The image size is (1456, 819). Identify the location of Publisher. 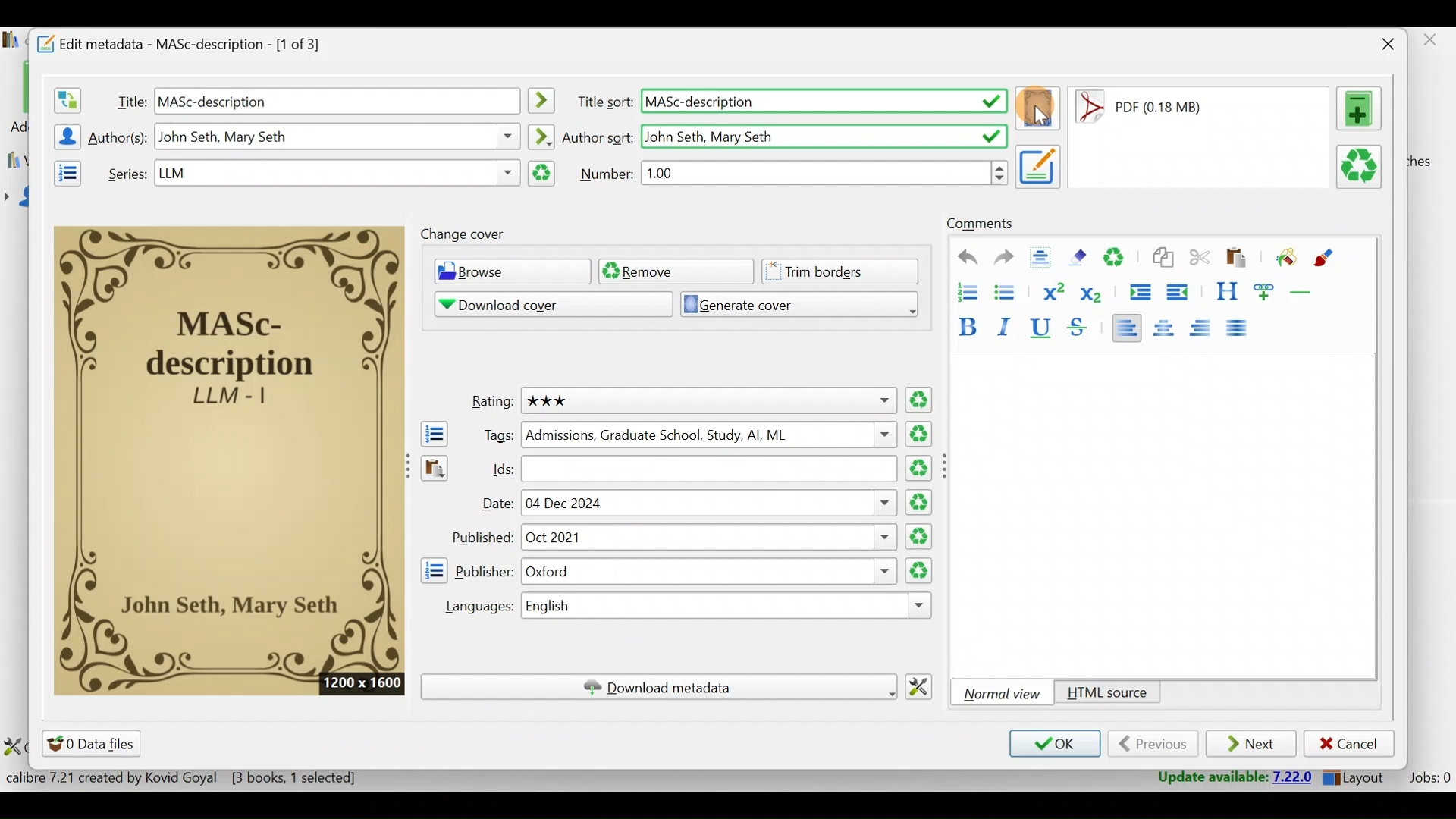
(485, 570).